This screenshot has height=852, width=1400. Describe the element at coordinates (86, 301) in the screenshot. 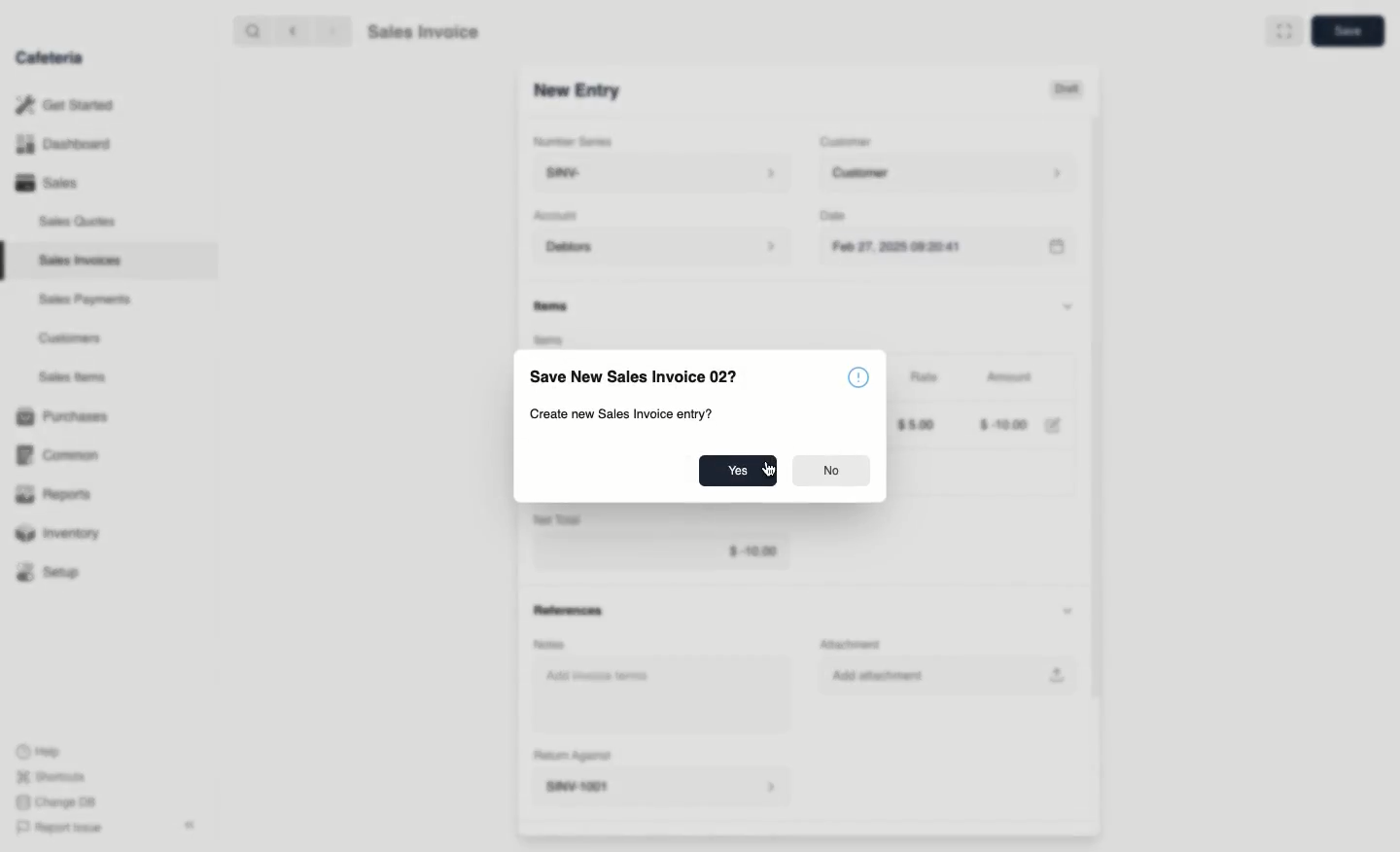

I see `Sales Payments` at that location.